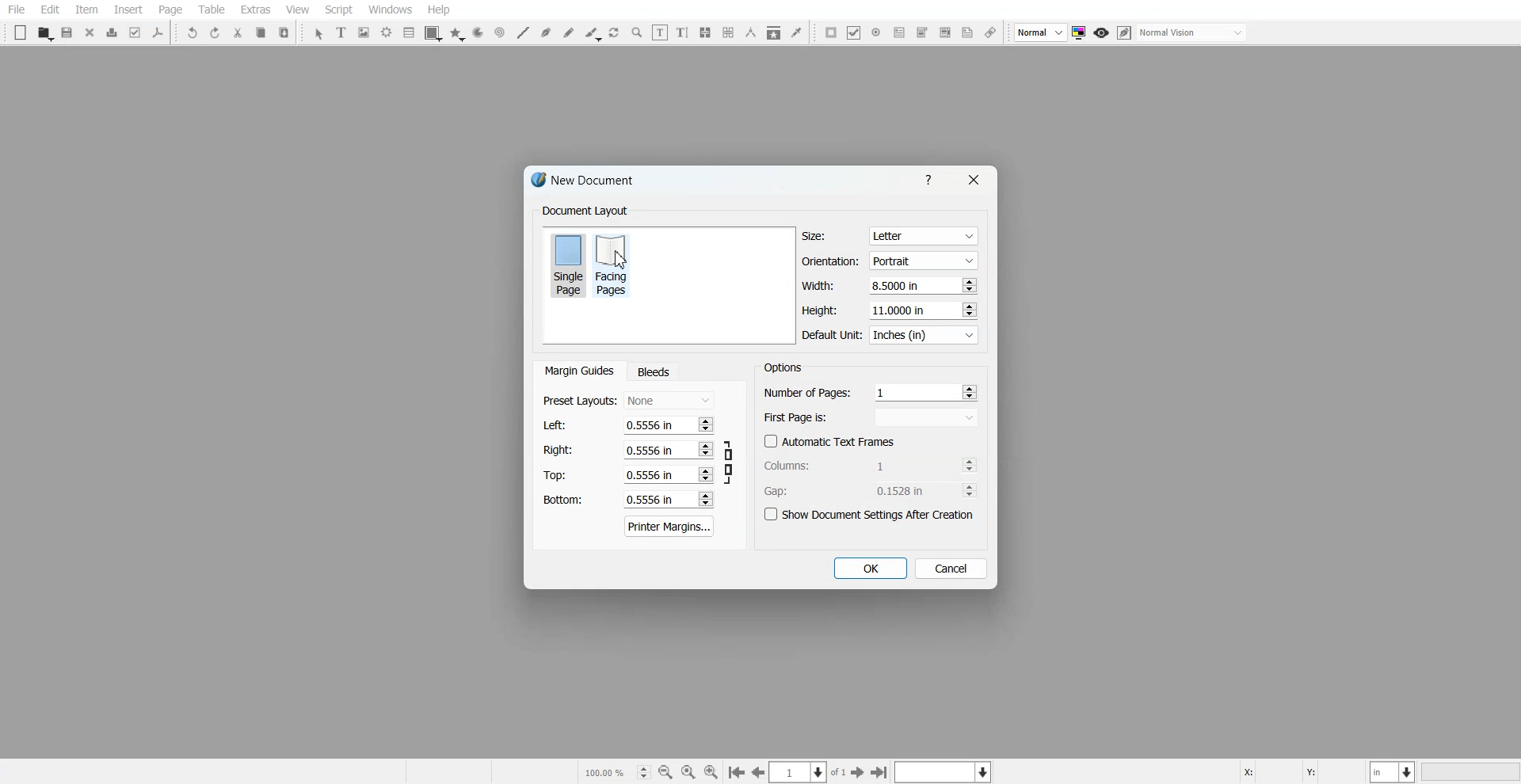 The image size is (1521, 784). I want to click on PDF Radio Button, so click(876, 32).